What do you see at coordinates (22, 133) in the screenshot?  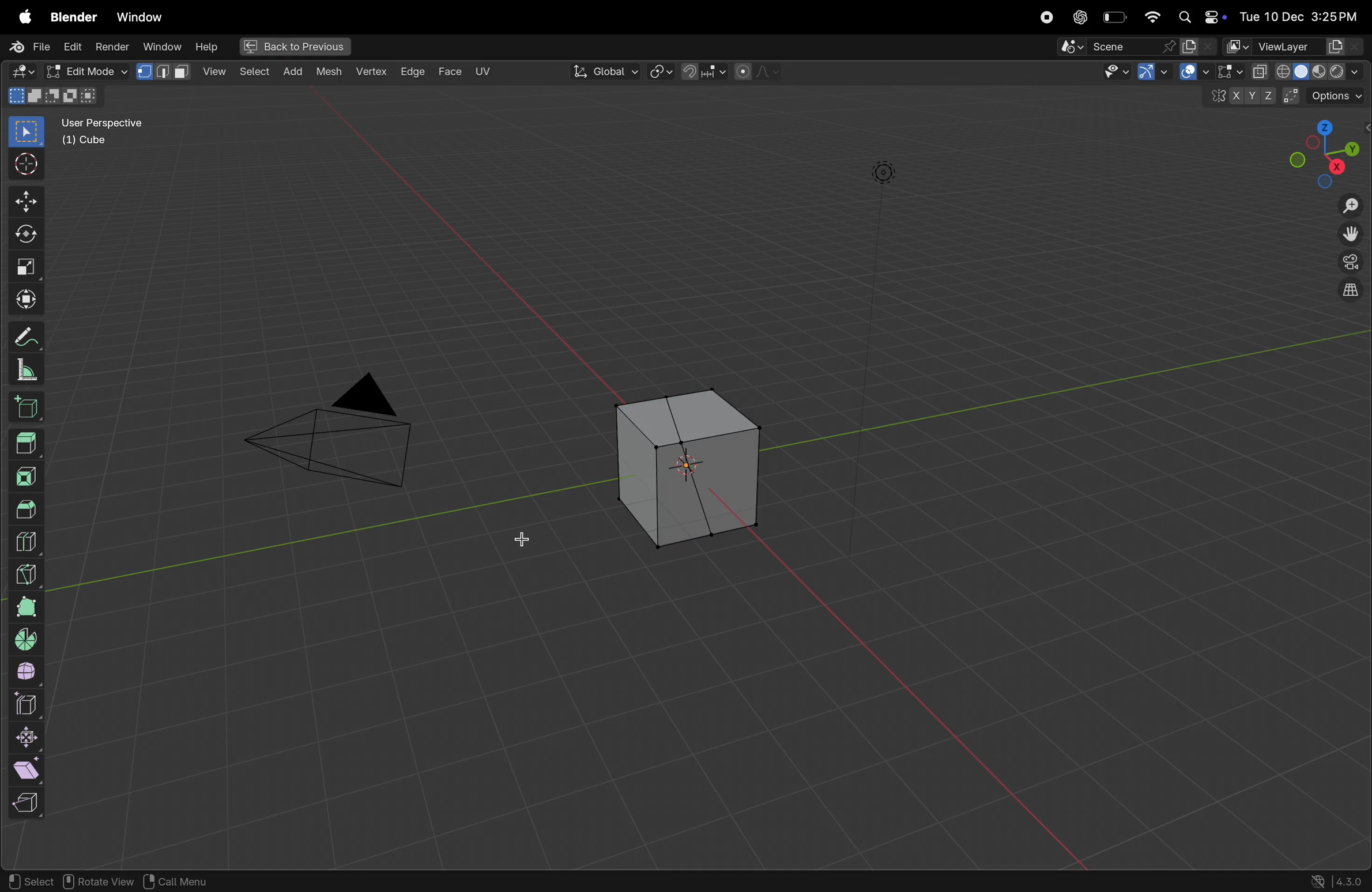 I see `select` at bounding box center [22, 133].